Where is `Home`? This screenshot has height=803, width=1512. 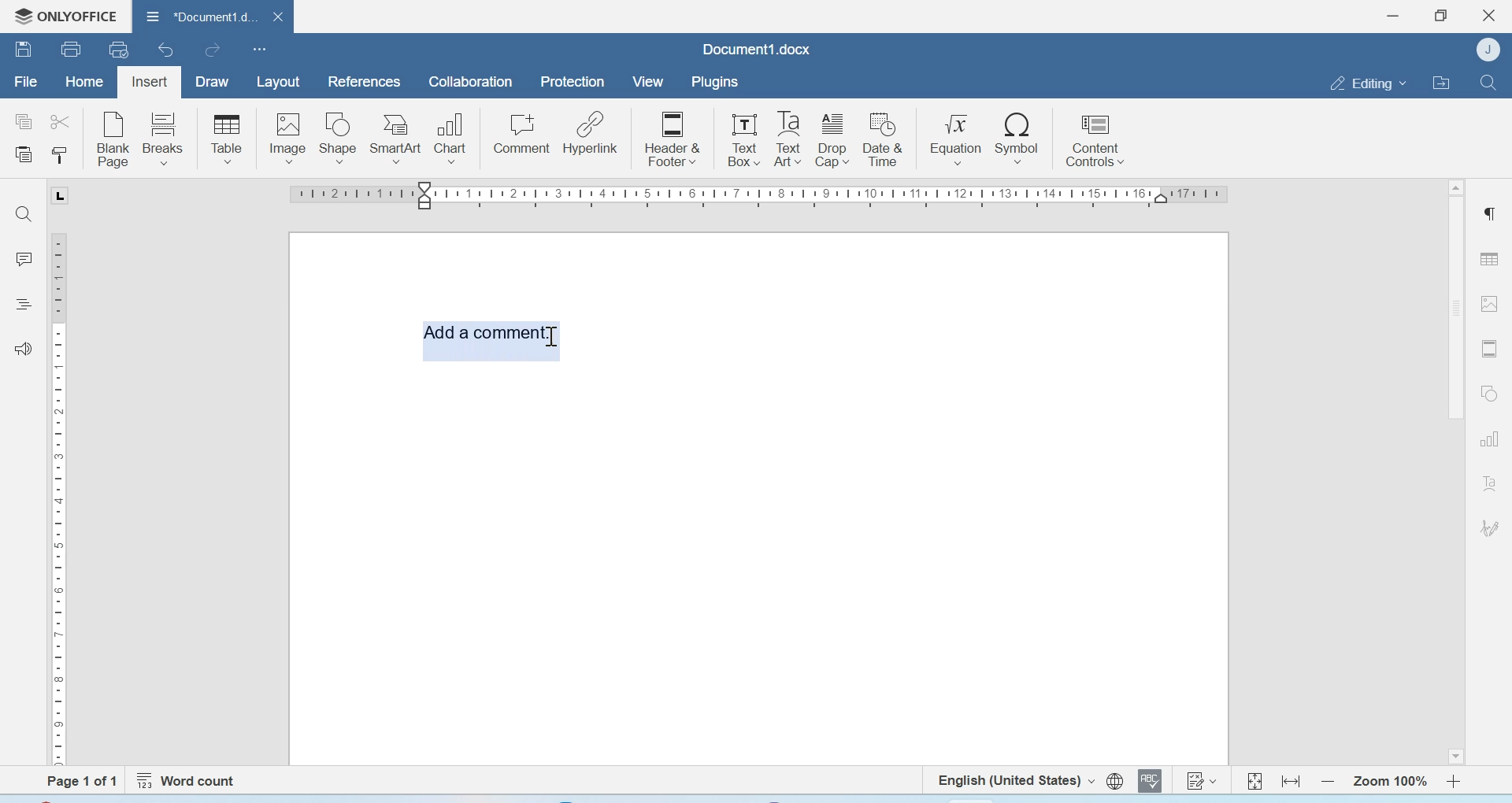
Home is located at coordinates (83, 80).